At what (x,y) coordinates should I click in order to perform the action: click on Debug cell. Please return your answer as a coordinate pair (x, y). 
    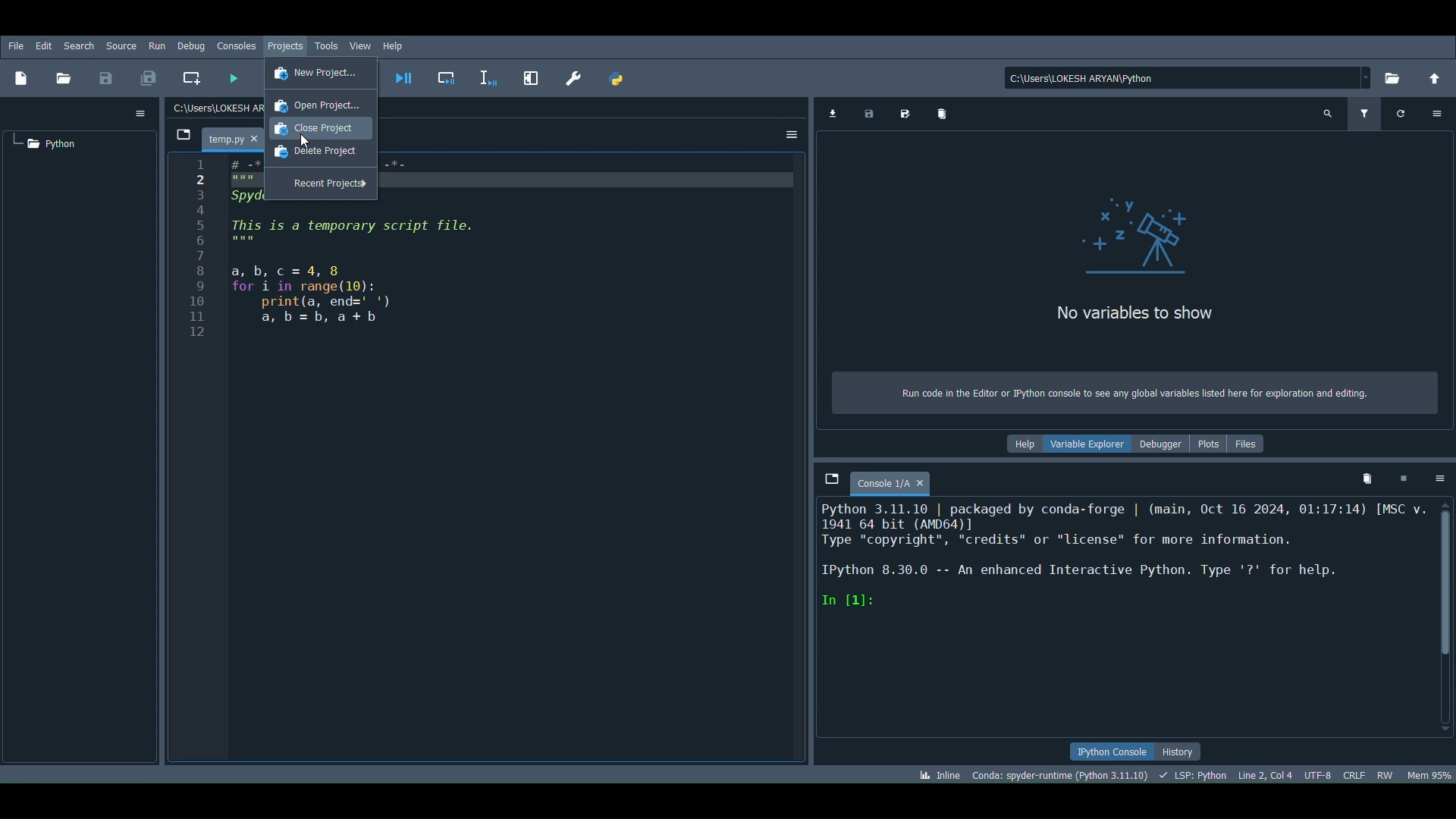
    Looking at the image, I should click on (451, 77).